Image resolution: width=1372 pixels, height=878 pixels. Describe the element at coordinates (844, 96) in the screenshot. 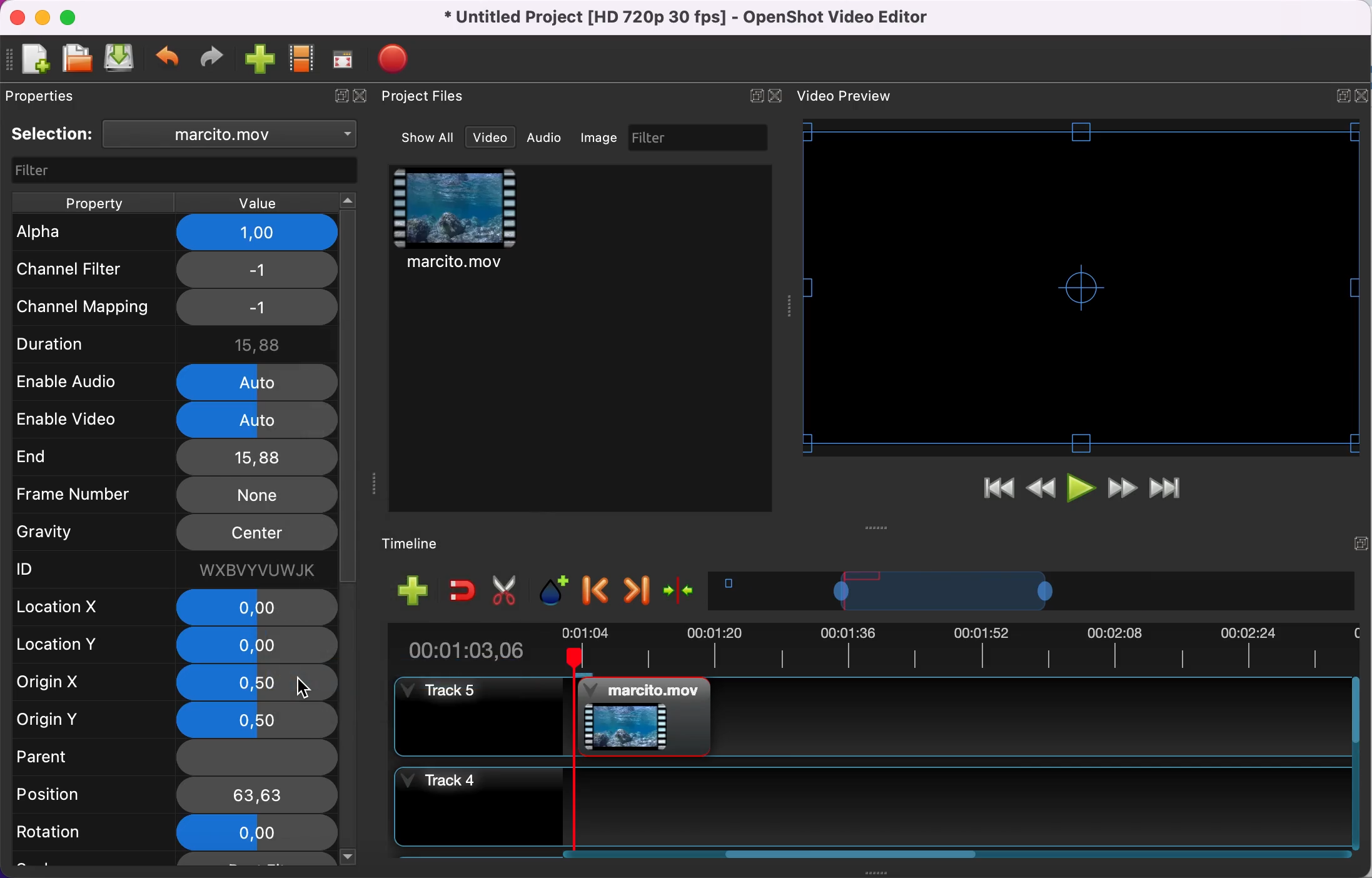

I see `Text` at that location.